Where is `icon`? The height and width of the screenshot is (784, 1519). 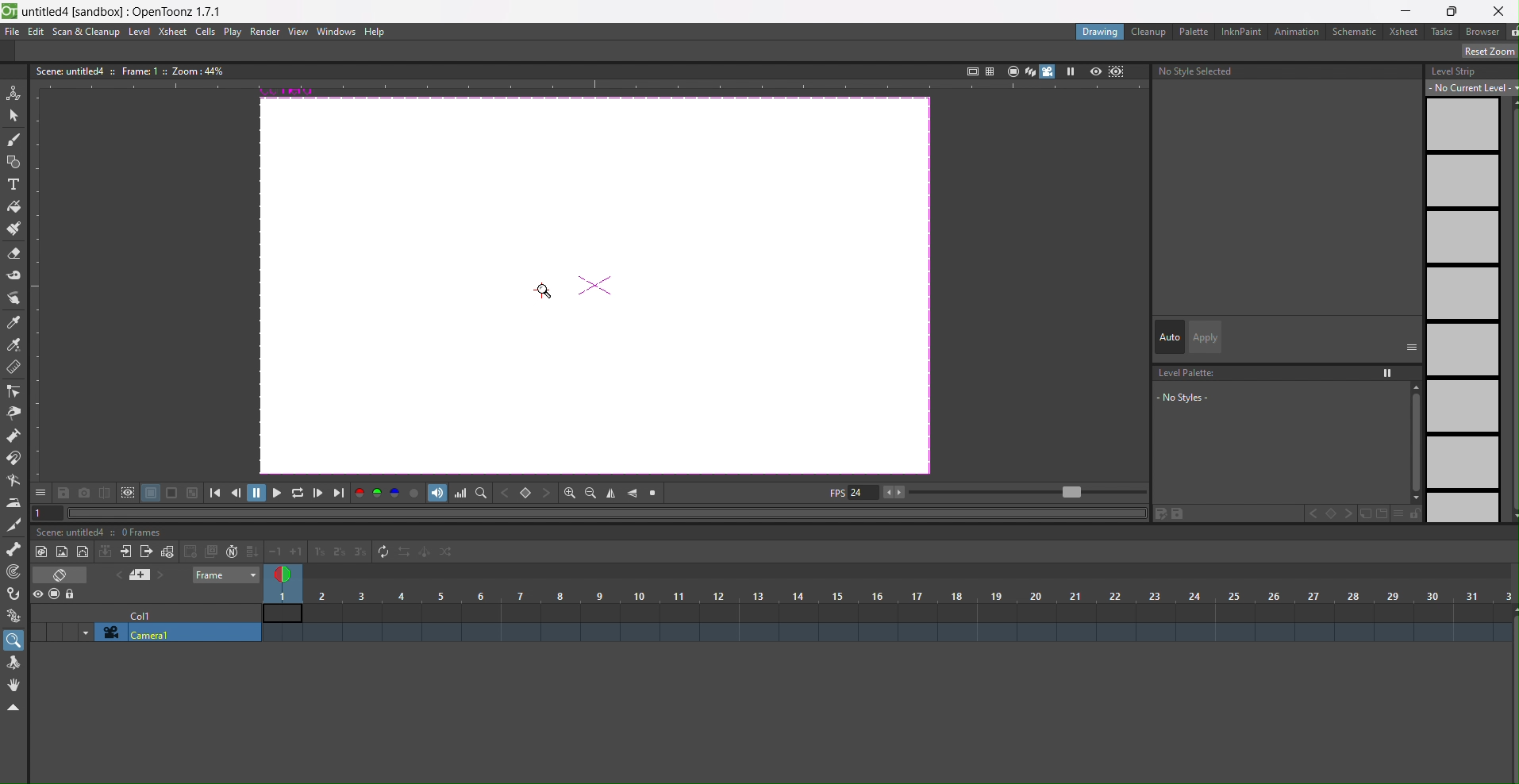 icon is located at coordinates (62, 576).